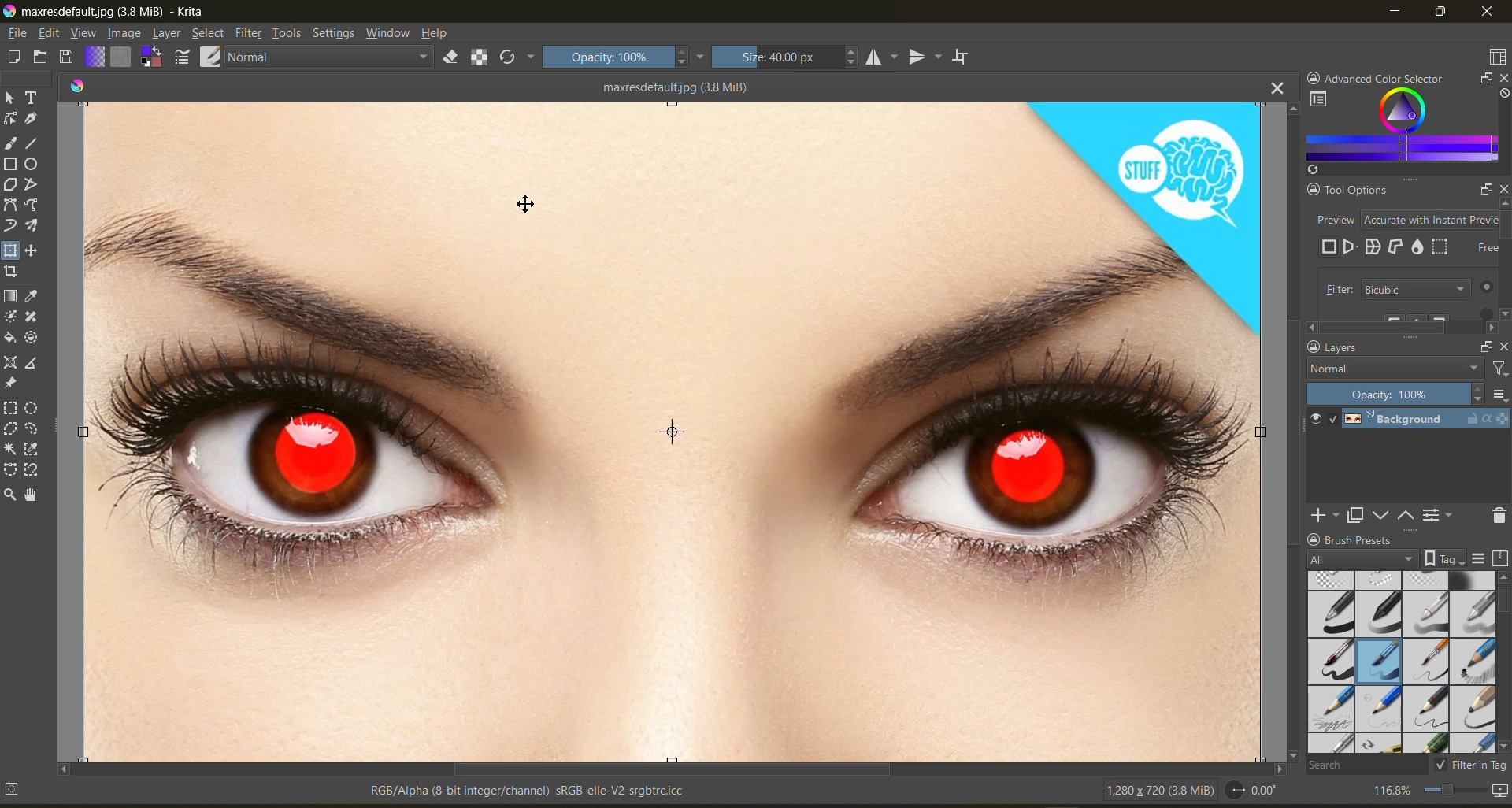 The image size is (1512, 808). What do you see at coordinates (1498, 790) in the screenshot?
I see `map the canvas` at bounding box center [1498, 790].